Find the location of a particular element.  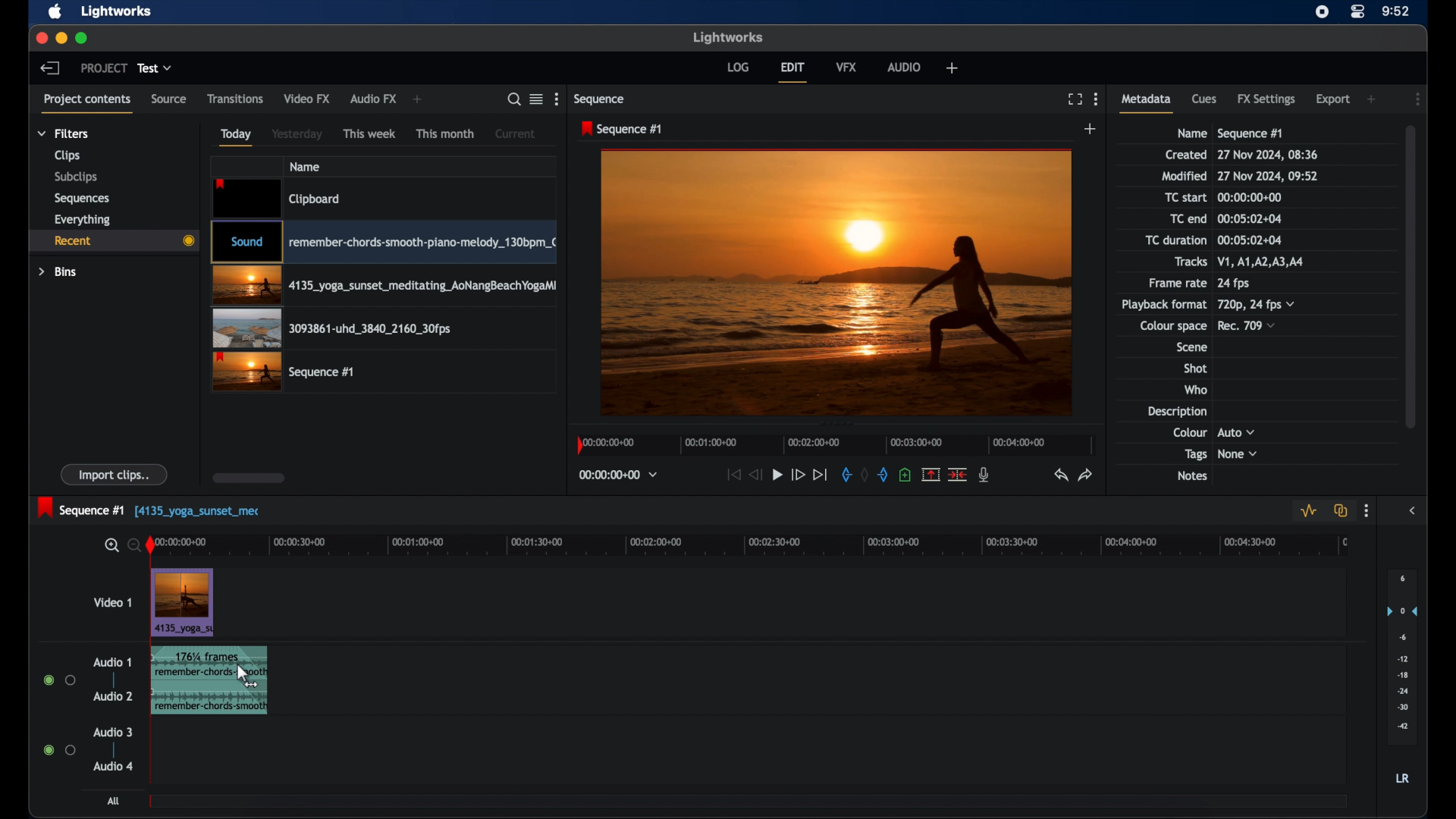

timecodes and reels is located at coordinates (619, 475).